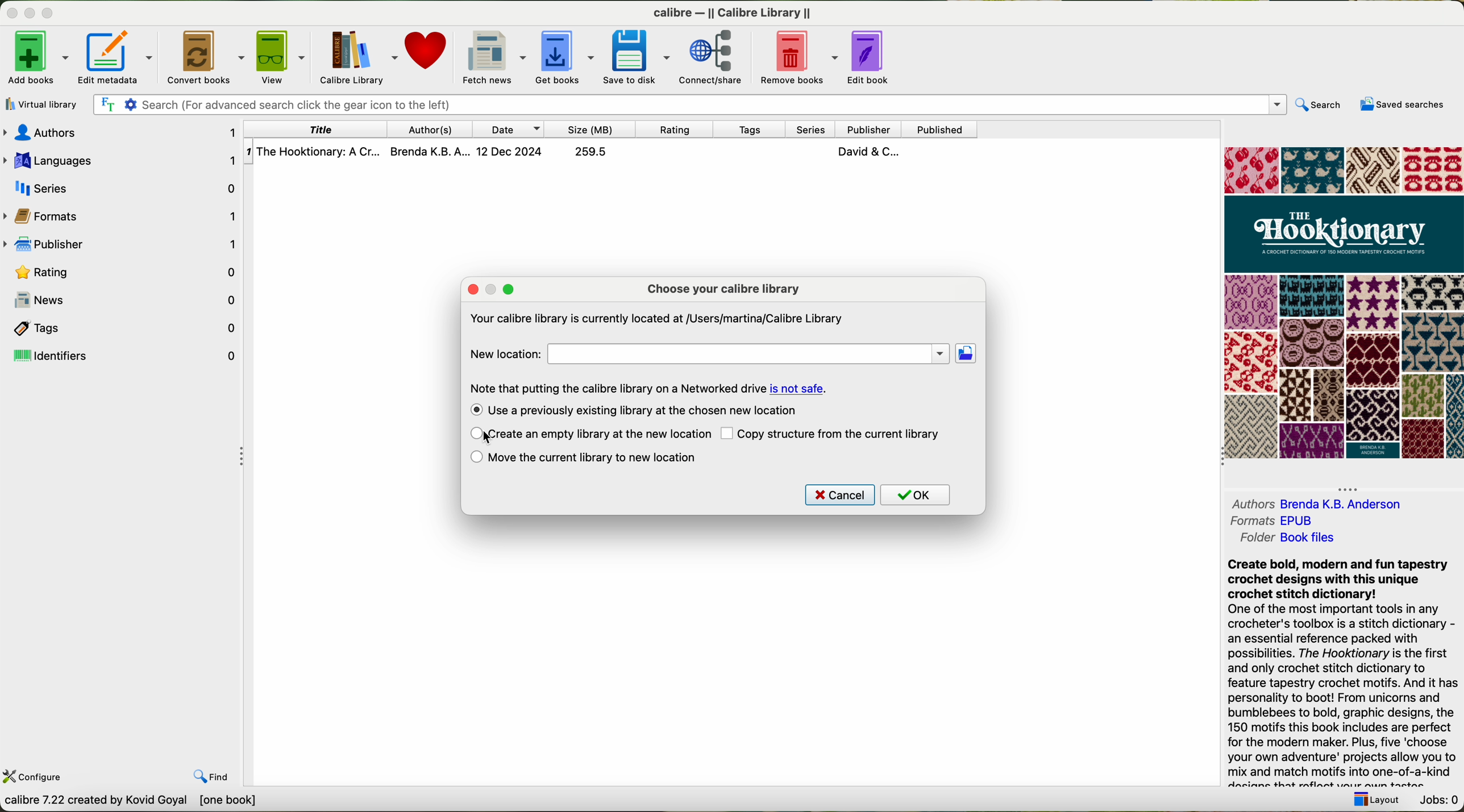  What do you see at coordinates (868, 56) in the screenshot?
I see `edit book` at bounding box center [868, 56].